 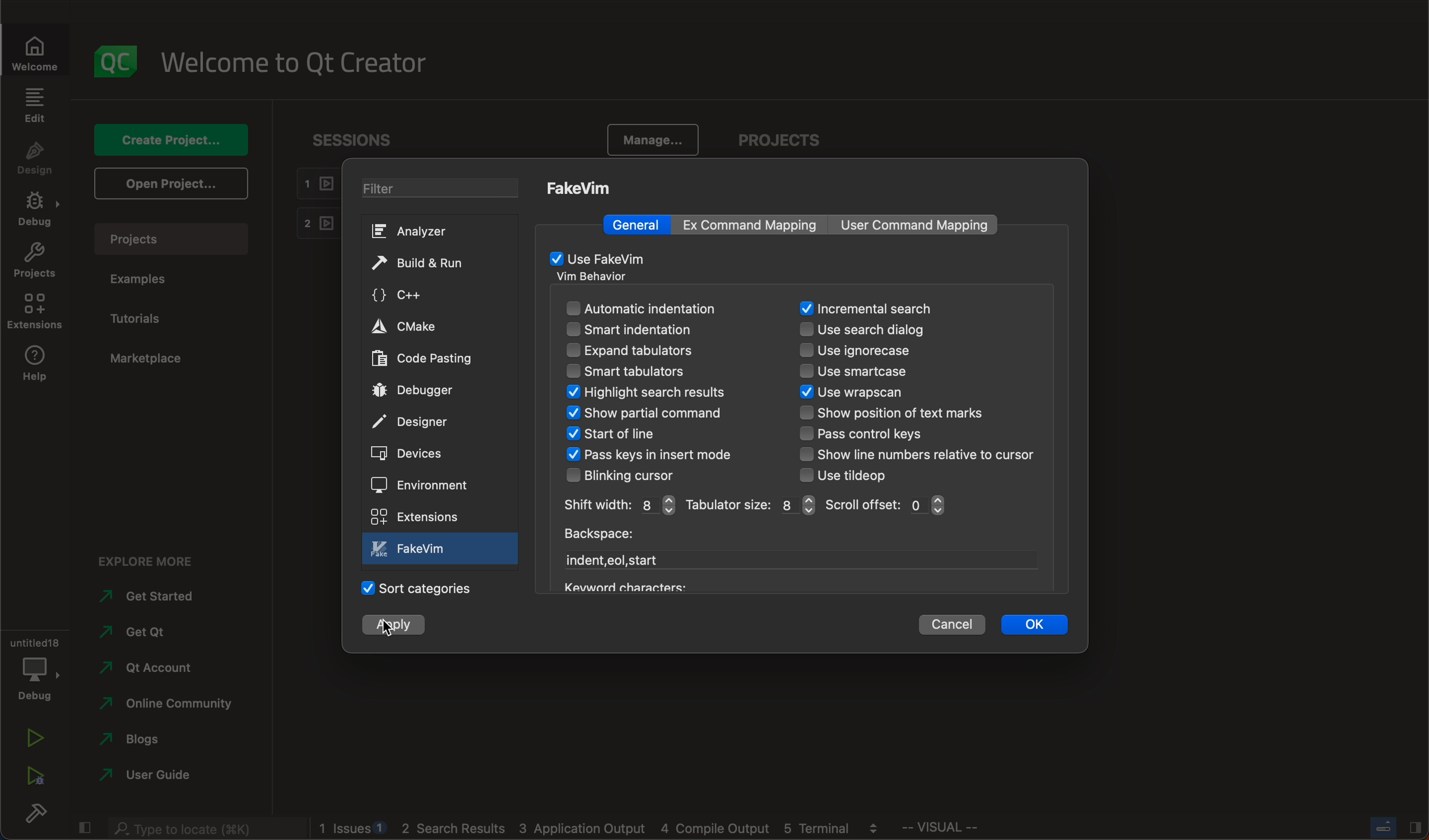 What do you see at coordinates (618, 506) in the screenshot?
I see `width` at bounding box center [618, 506].